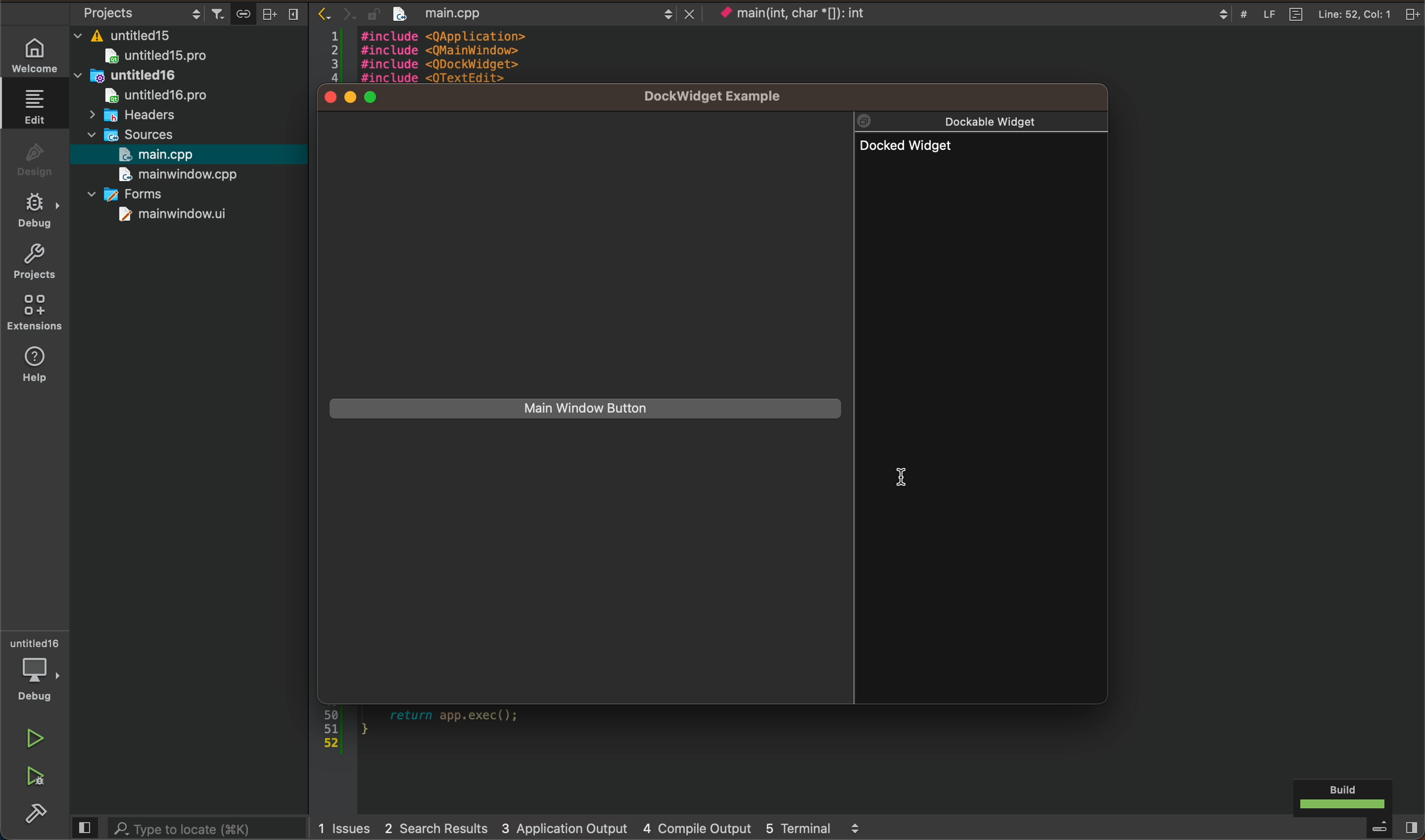 The width and height of the screenshot is (1425, 840). I want to click on main window, so click(186, 174).